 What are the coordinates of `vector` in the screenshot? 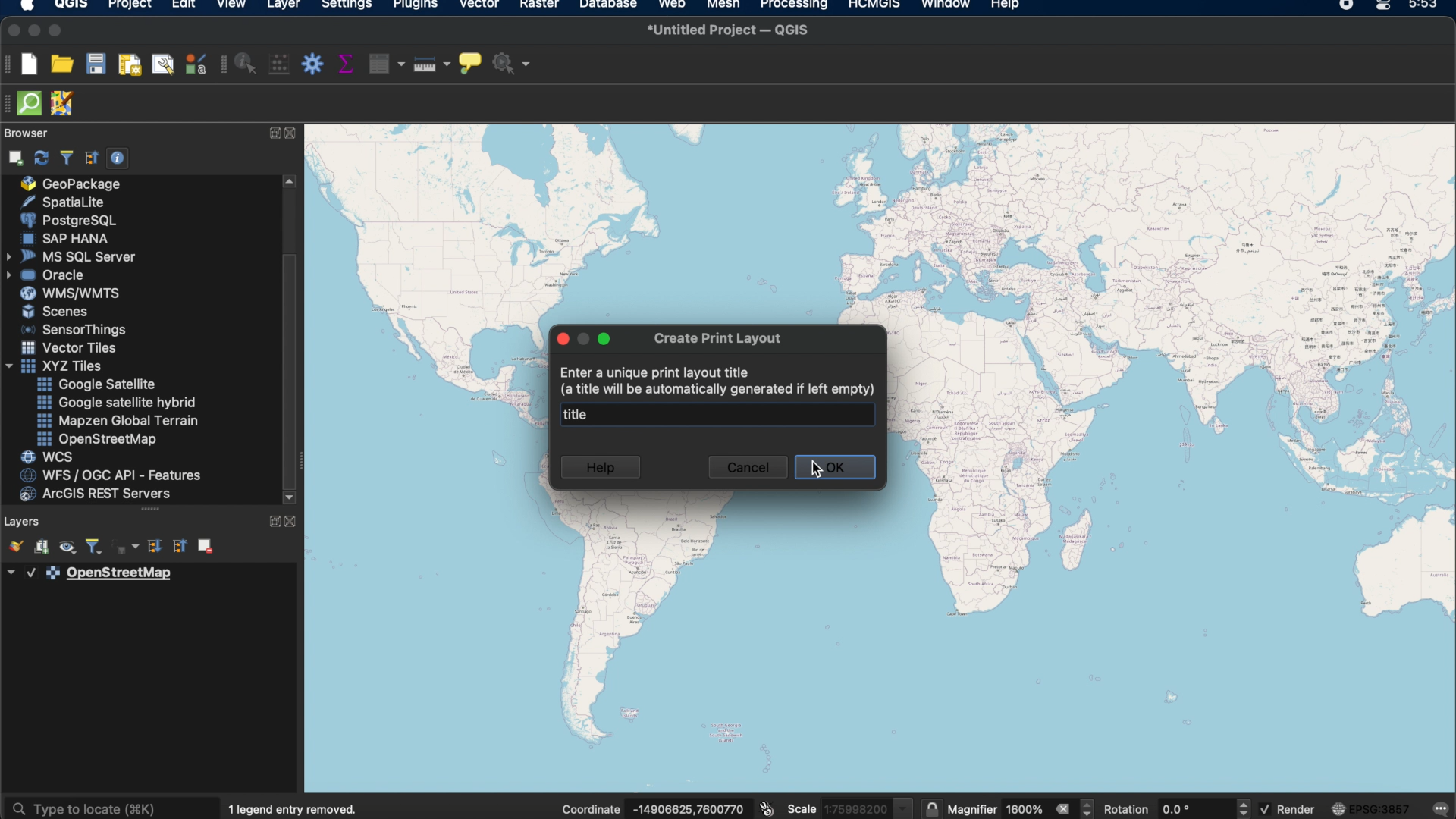 It's located at (480, 6).